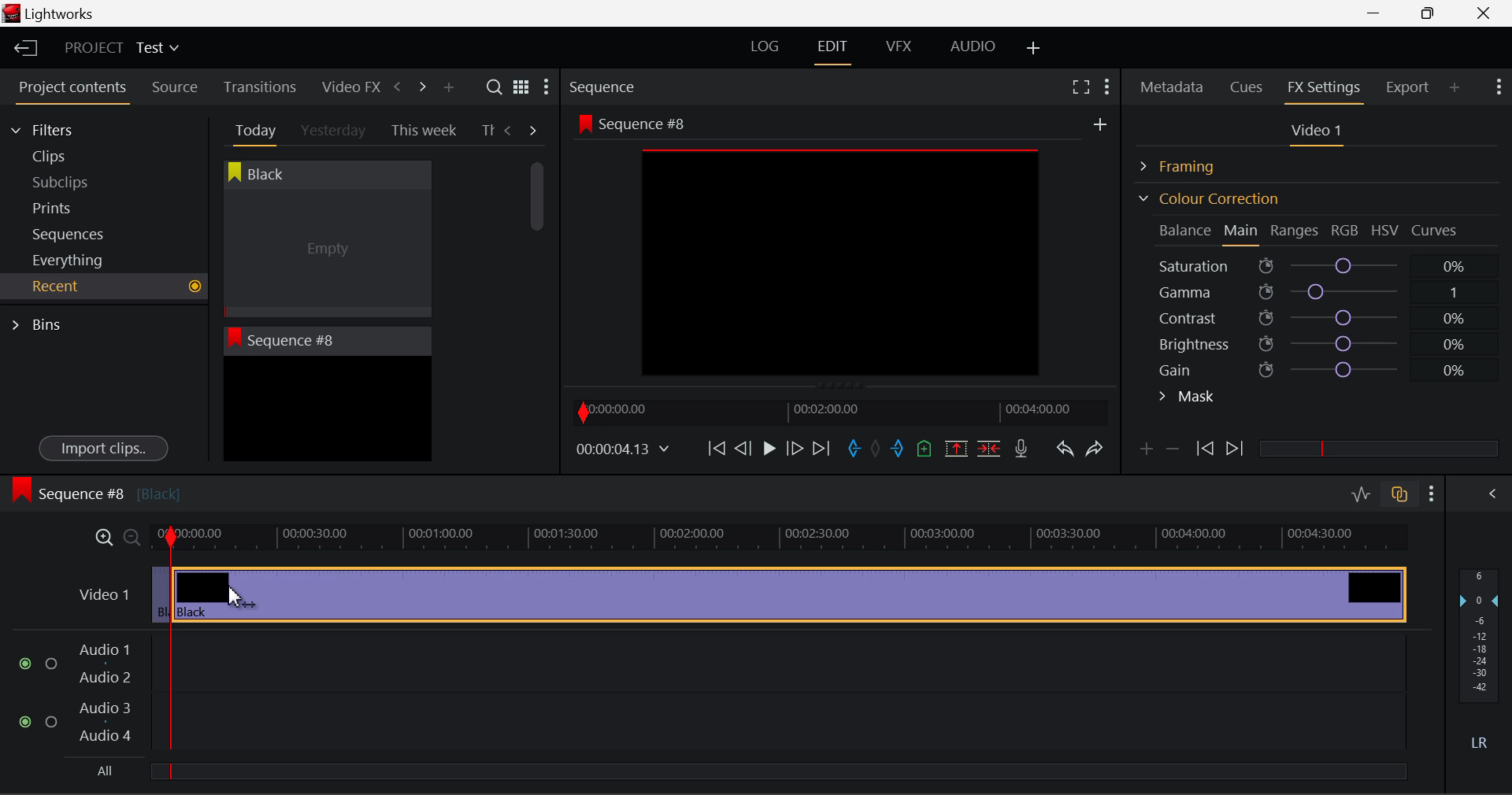 This screenshot has height=795, width=1512. Describe the element at coordinates (74, 205) in the screenshot. I see `Prints` at that location.